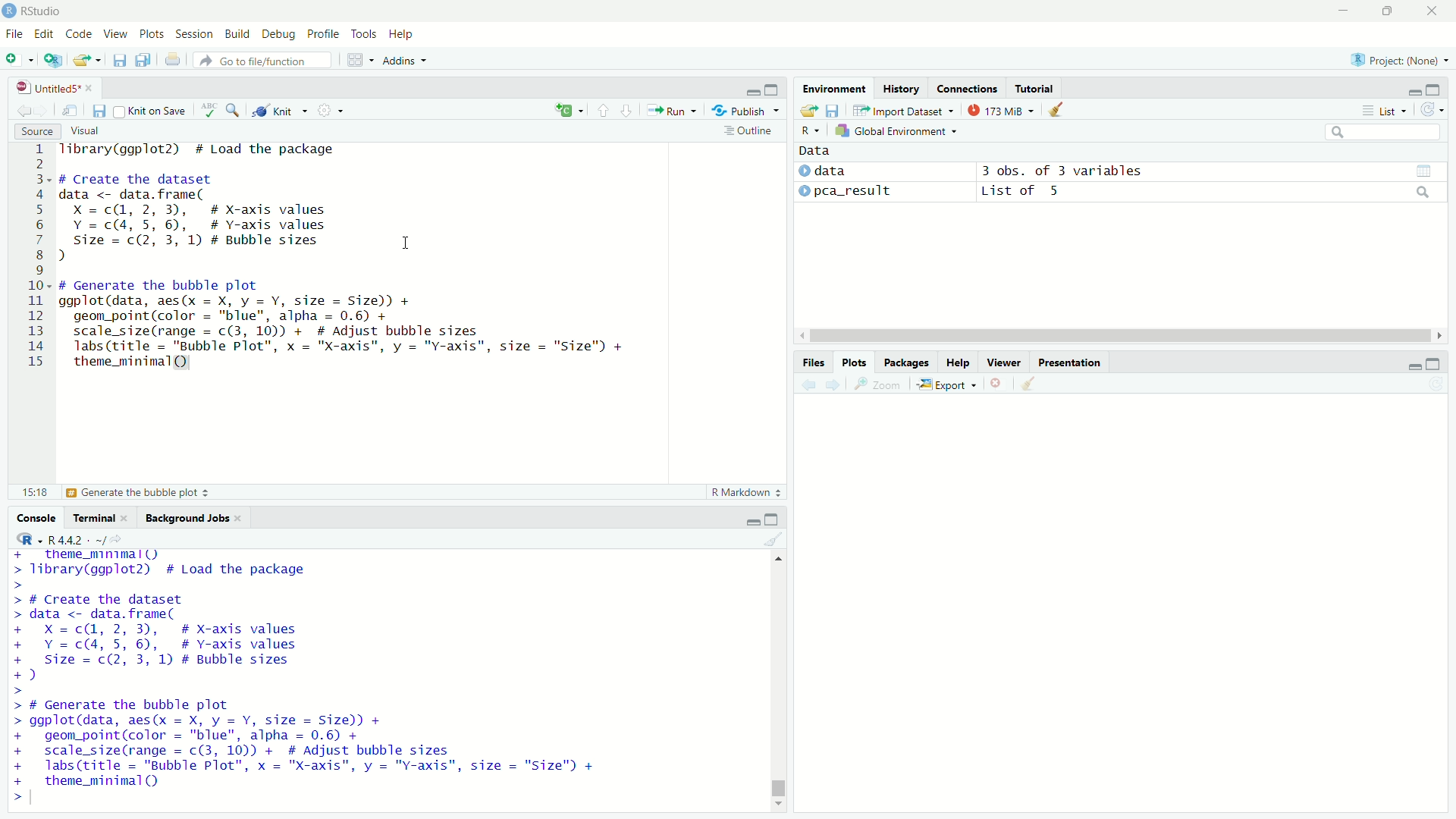 Image resolution: width=1456 pixels, height=819 pixels. I want to click on history, so click(901, 88).